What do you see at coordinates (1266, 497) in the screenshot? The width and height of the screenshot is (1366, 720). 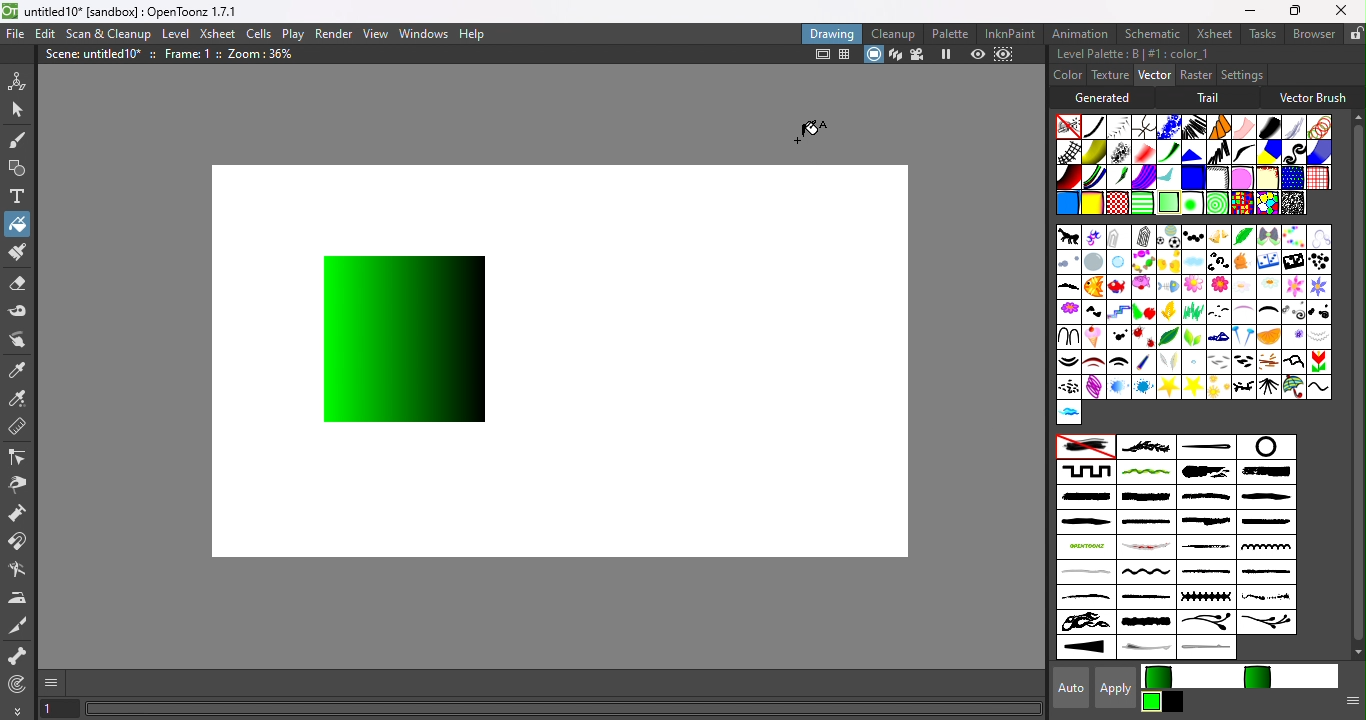 I see `medium_brush2` at bounding box center [1266, 497].